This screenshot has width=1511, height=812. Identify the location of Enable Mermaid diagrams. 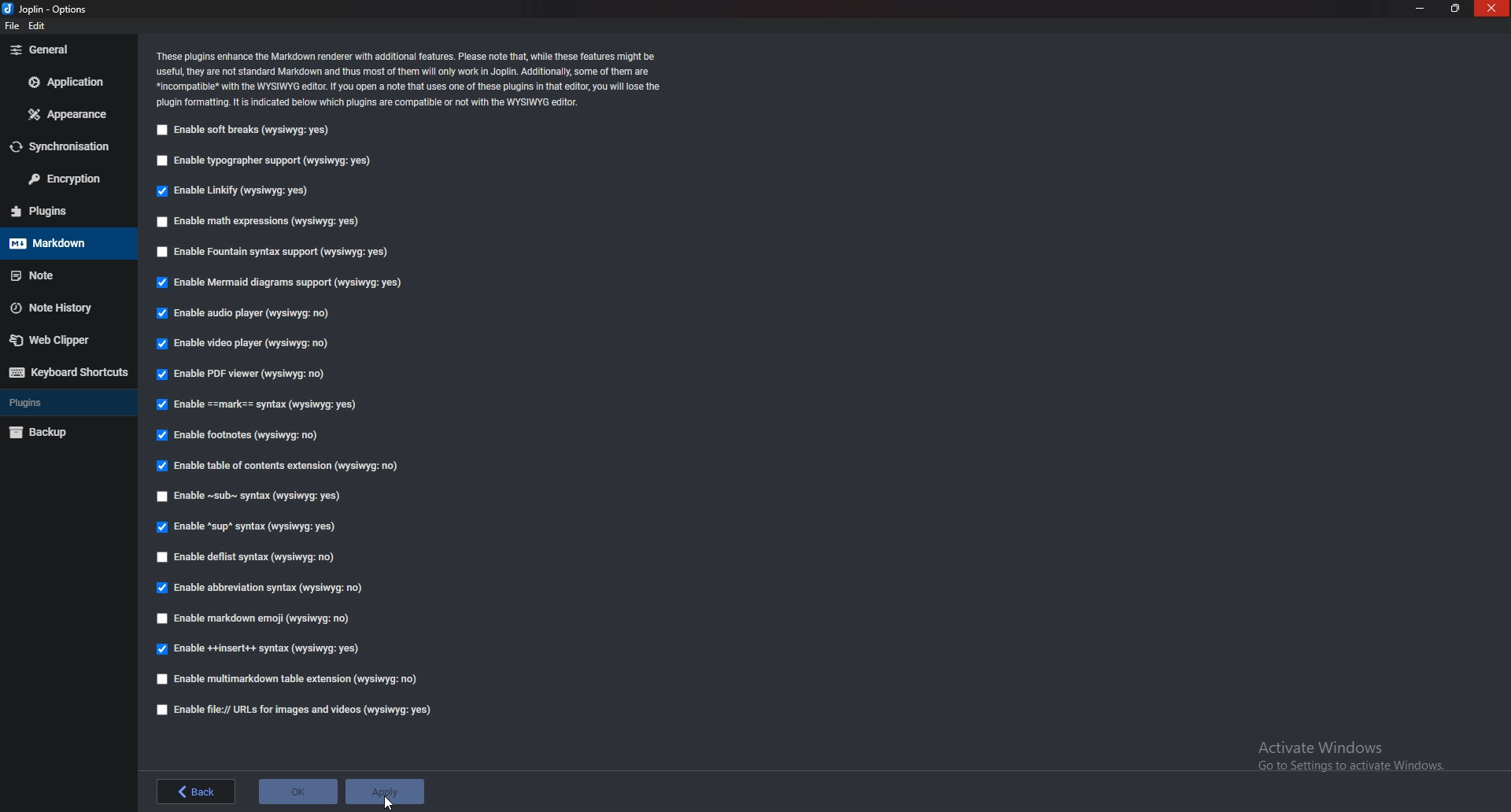
(279, 282).